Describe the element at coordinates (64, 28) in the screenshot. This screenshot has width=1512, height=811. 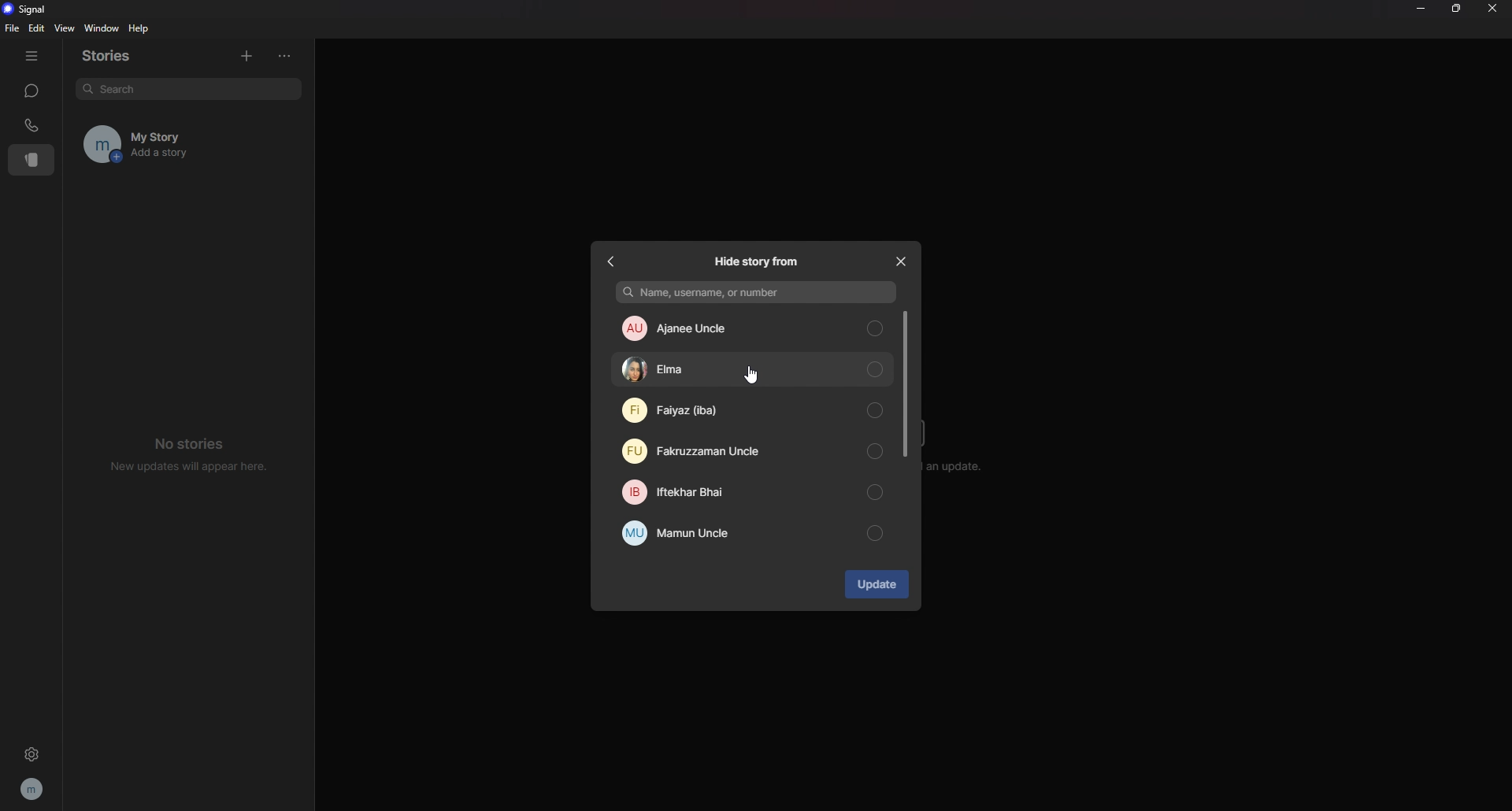
I see `view` at that location.